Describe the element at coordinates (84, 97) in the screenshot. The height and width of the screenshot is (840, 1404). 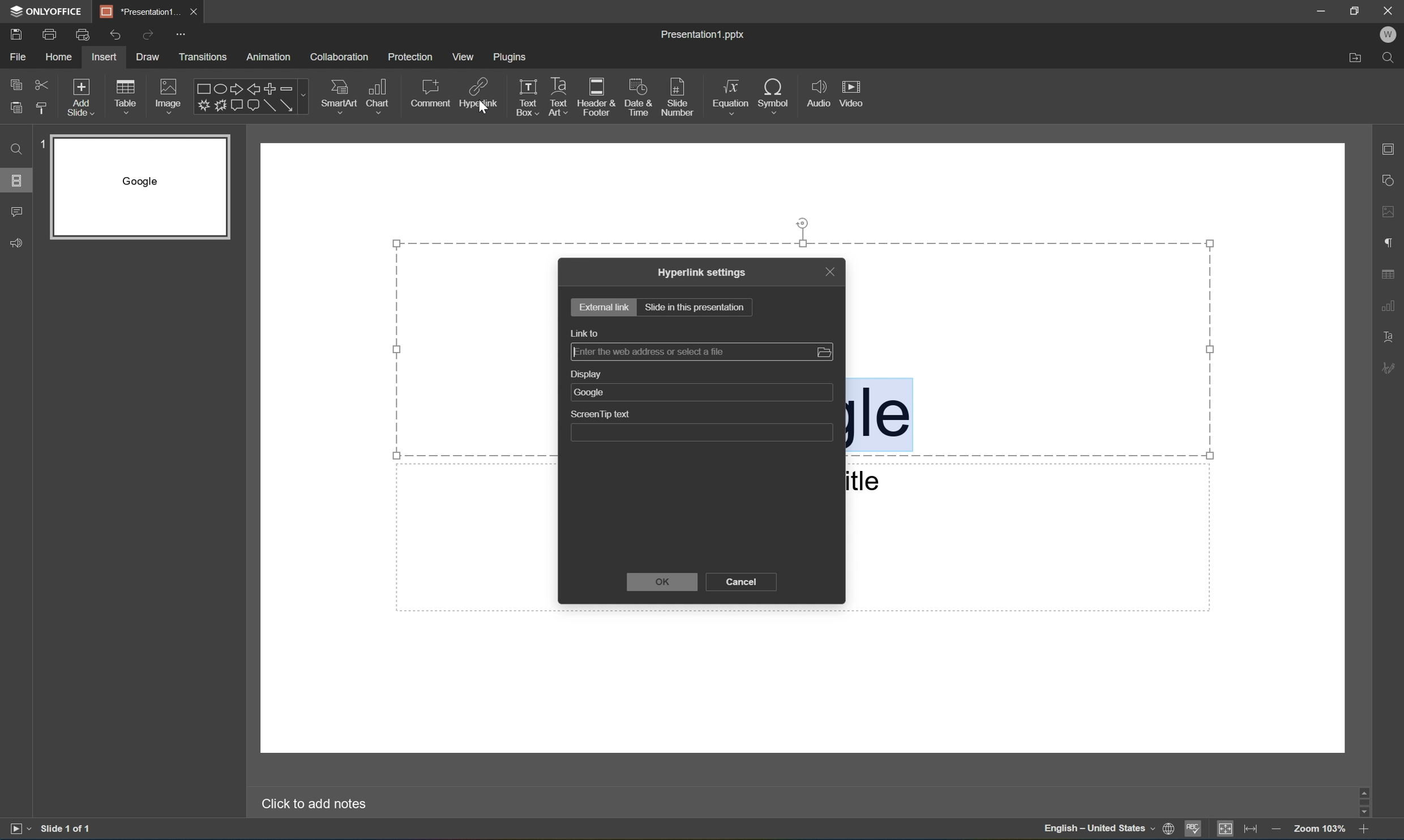
I see `Add slide` at that location.